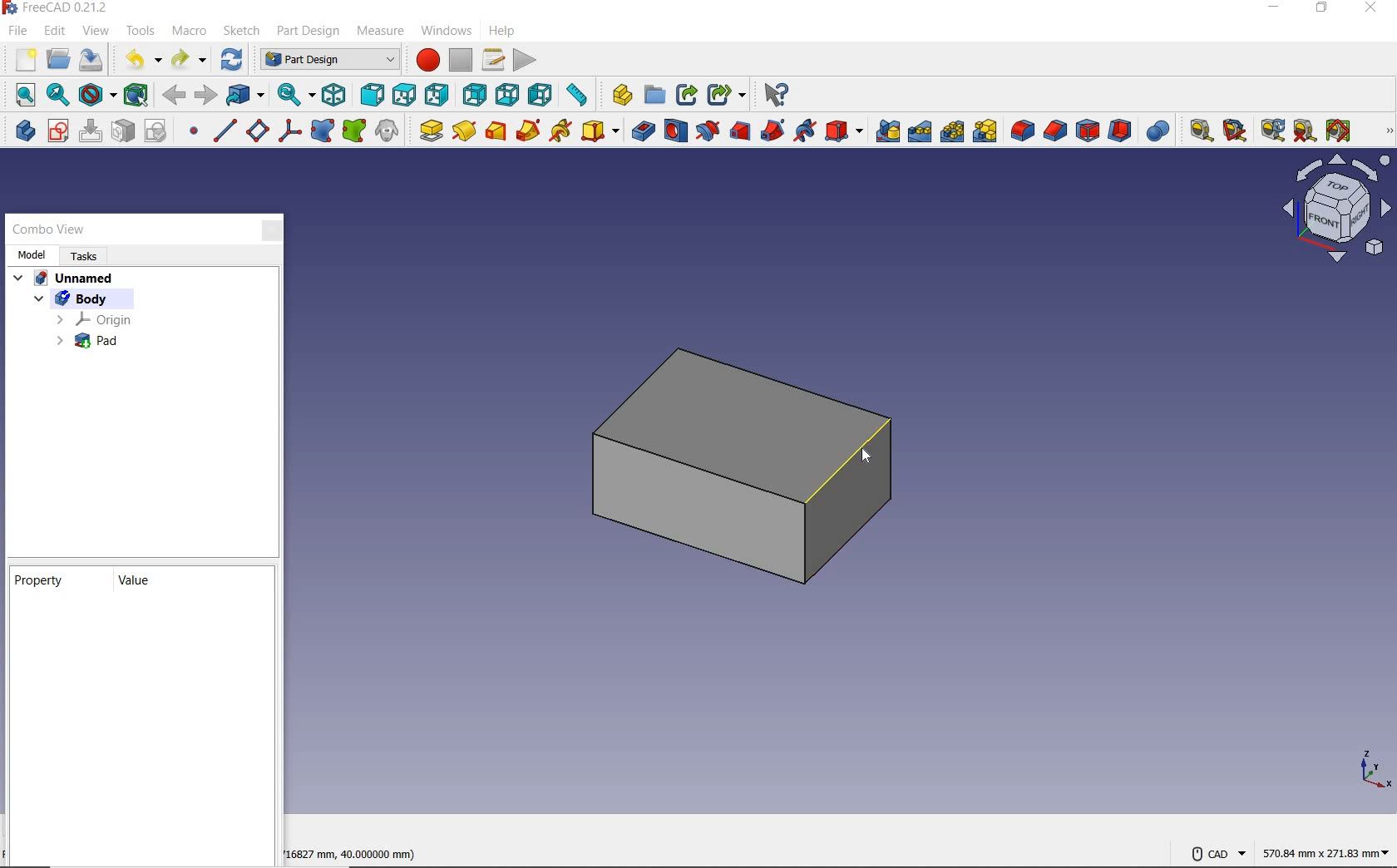 This screenshot has width=1397, height=868. I want to click on linear pattern, so click(921, 133).